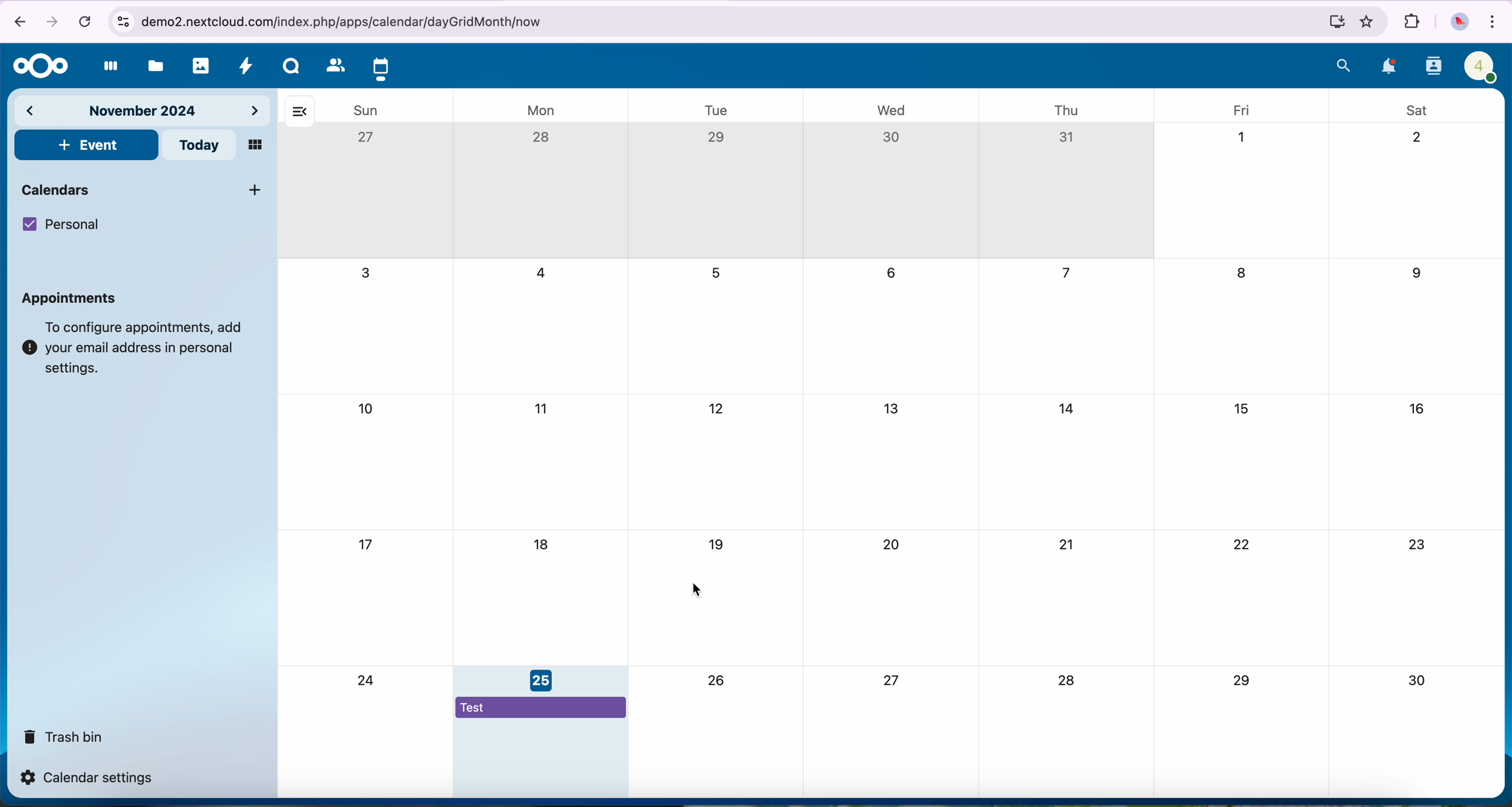 Image resolution: width=1512 pixels, height=807 pixels. Describe the element at coordinates (201, 66) in the screenshot. I see `photos` at that location.